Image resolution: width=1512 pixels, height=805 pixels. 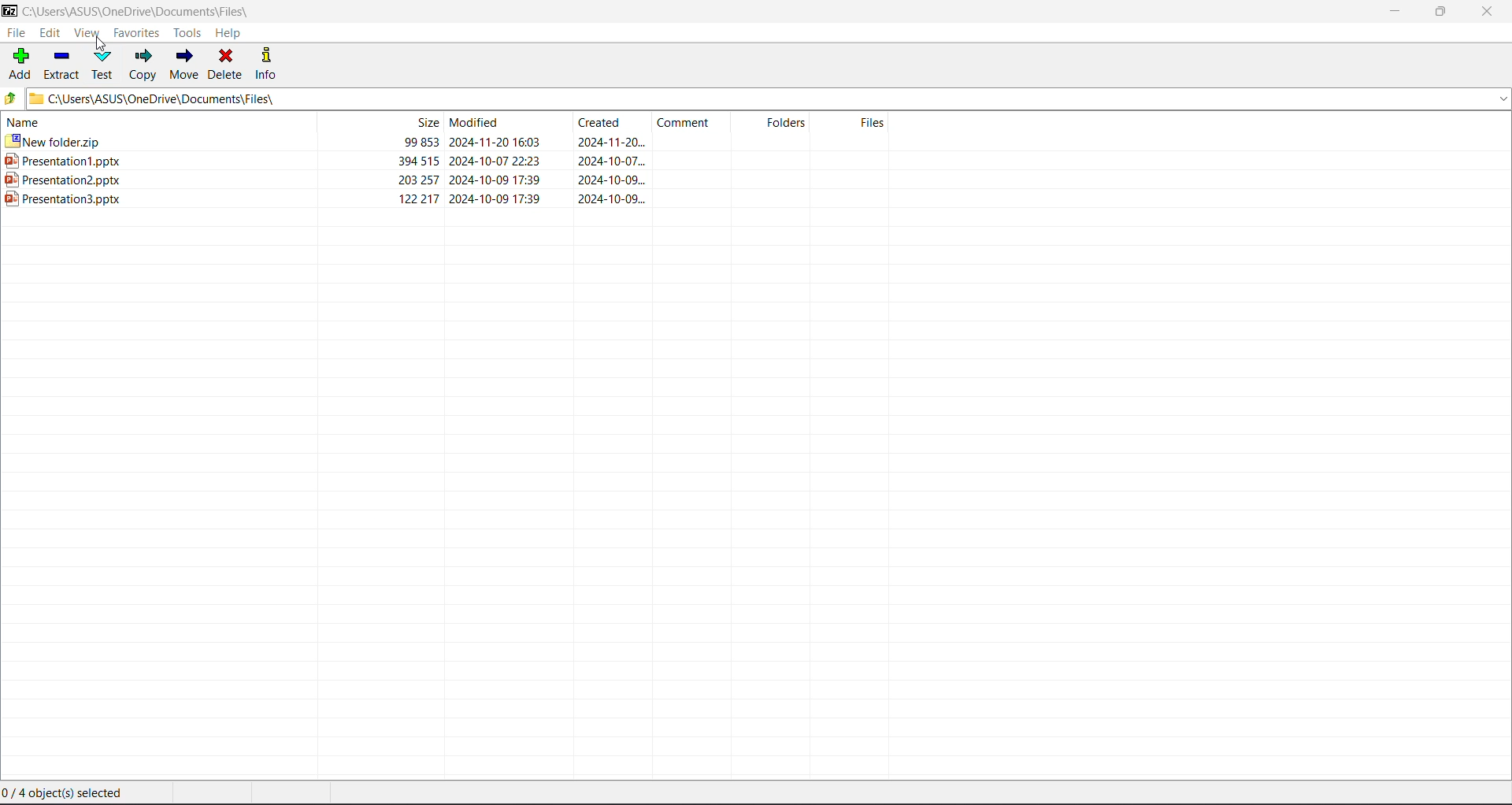 What do you see at coordinates (229, 32) in the screenshot?
I see `Help` at bounding box center [229, 32].